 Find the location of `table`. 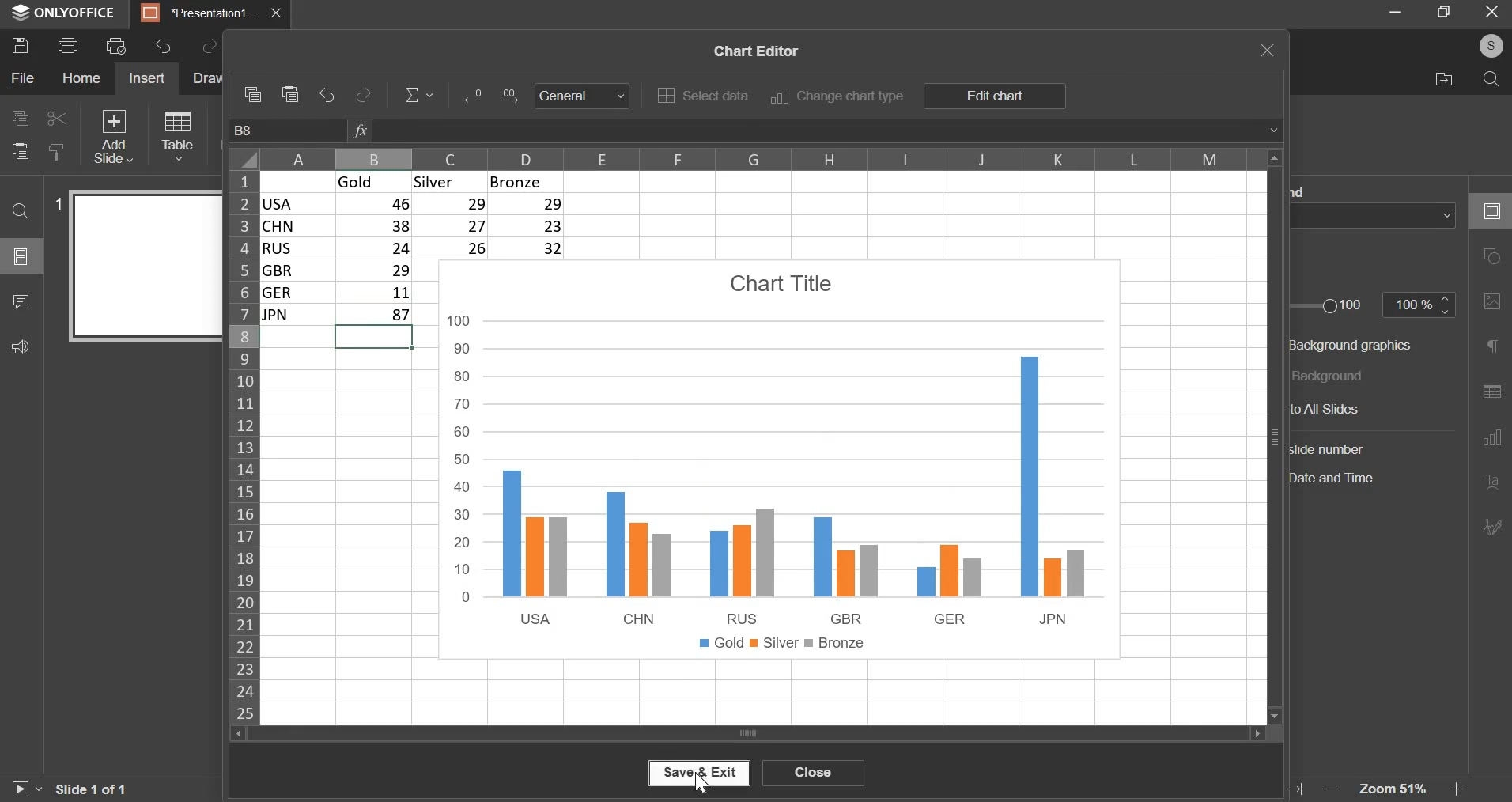

table is located at coordinates (176, 134).